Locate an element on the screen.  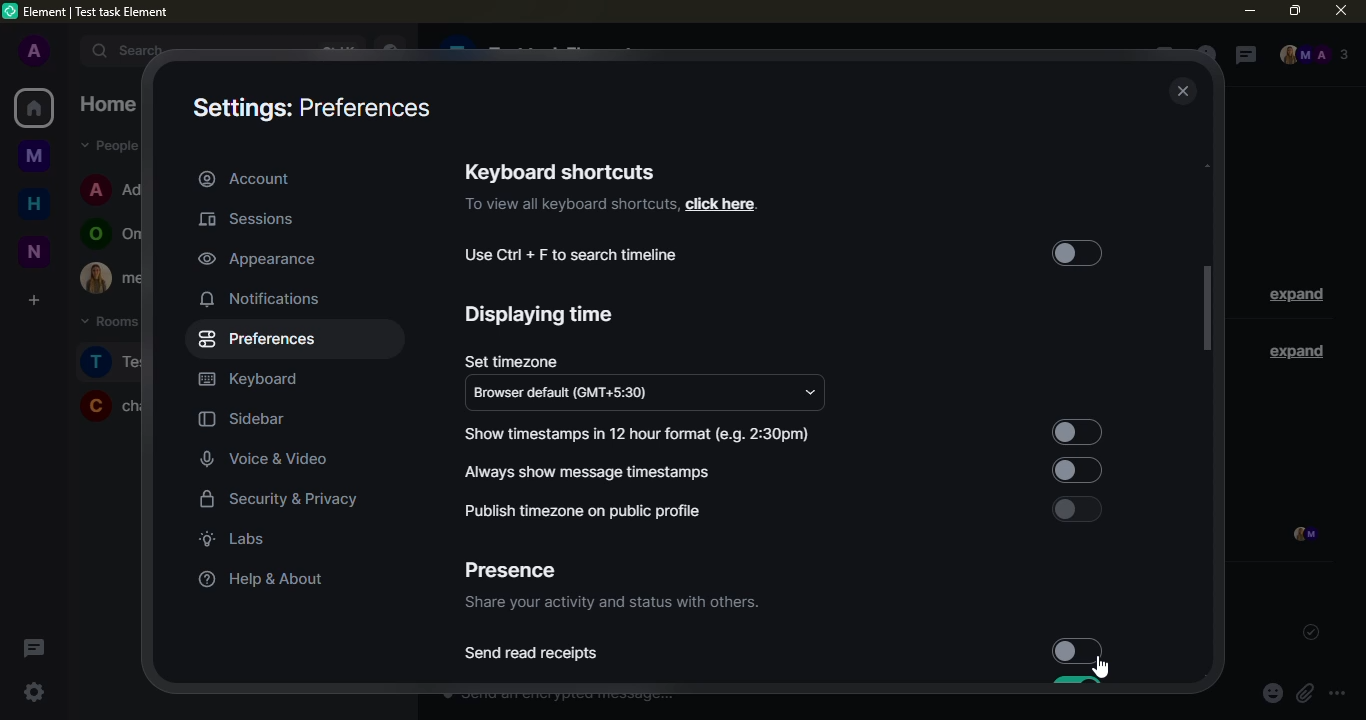
create a space is located at coordinates (32, 299).